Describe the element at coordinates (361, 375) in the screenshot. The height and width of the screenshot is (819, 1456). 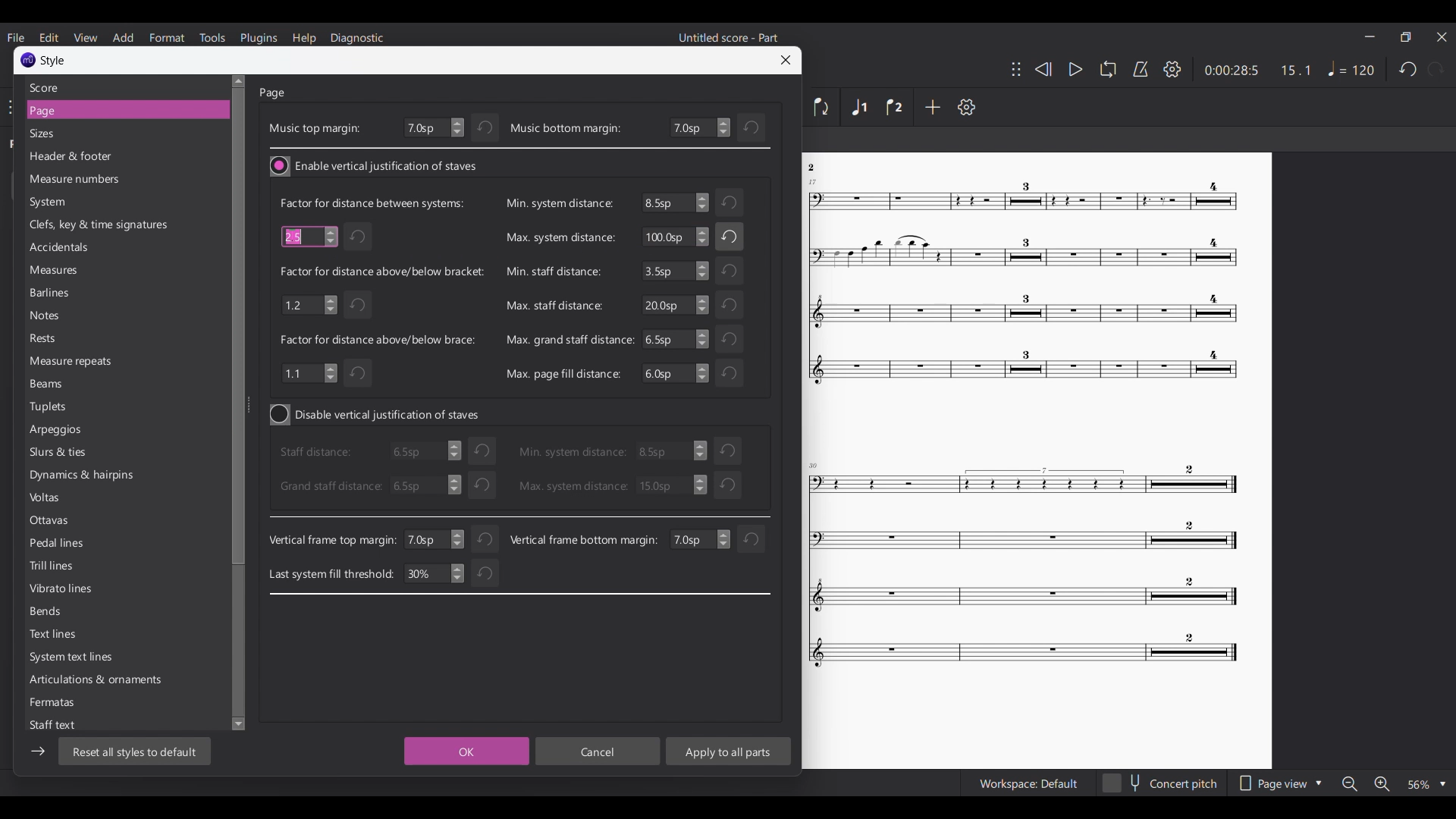
I see `Undo` at that location.